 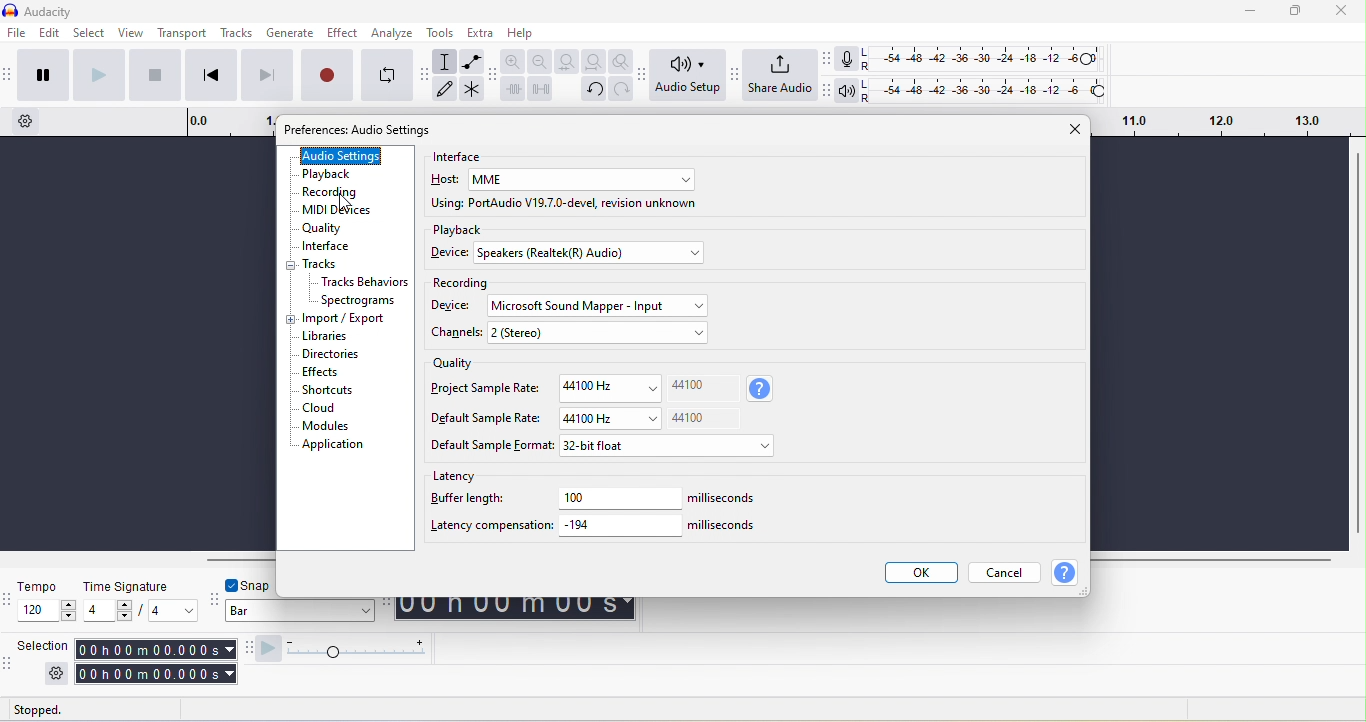 What do you see at coordinates (323, 410) in the screenshot?
I see `cloud` at bounding box center [323, 410].